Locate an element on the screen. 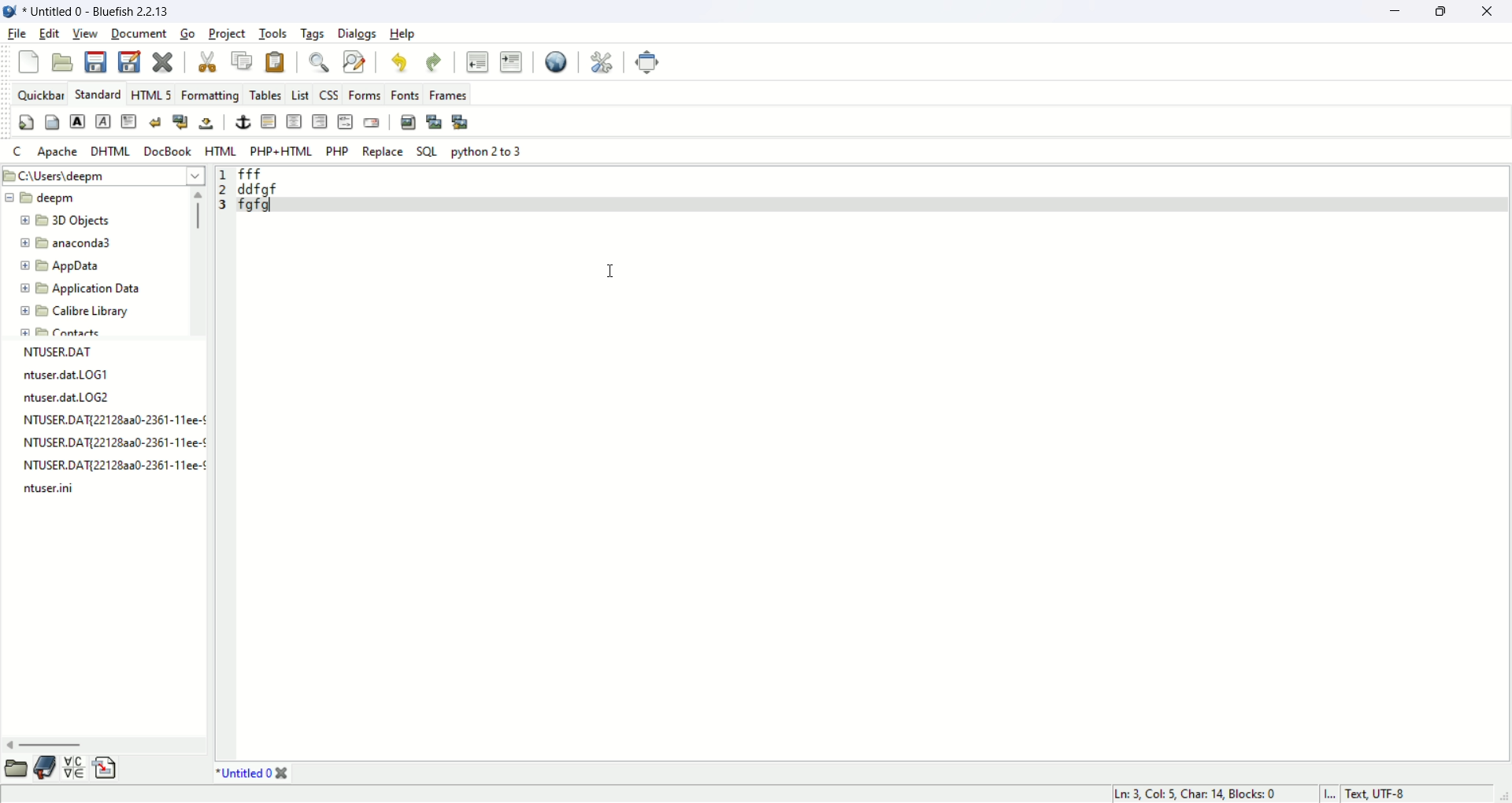 The height and width of the screenshot is (803, 1512). open is located at coordinates (65, 61).